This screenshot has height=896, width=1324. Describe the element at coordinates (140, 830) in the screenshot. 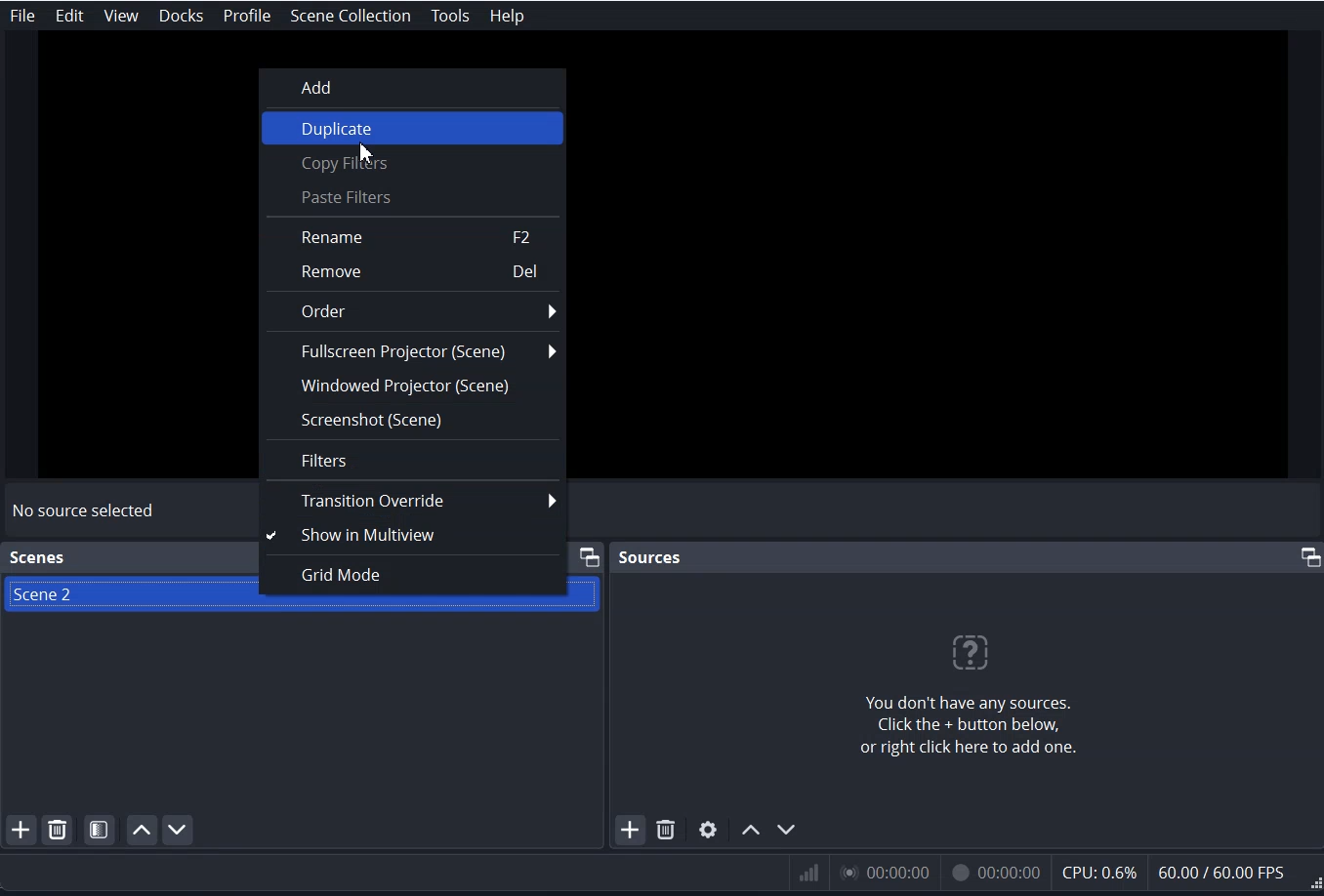

I see `Move scene up` at that location.